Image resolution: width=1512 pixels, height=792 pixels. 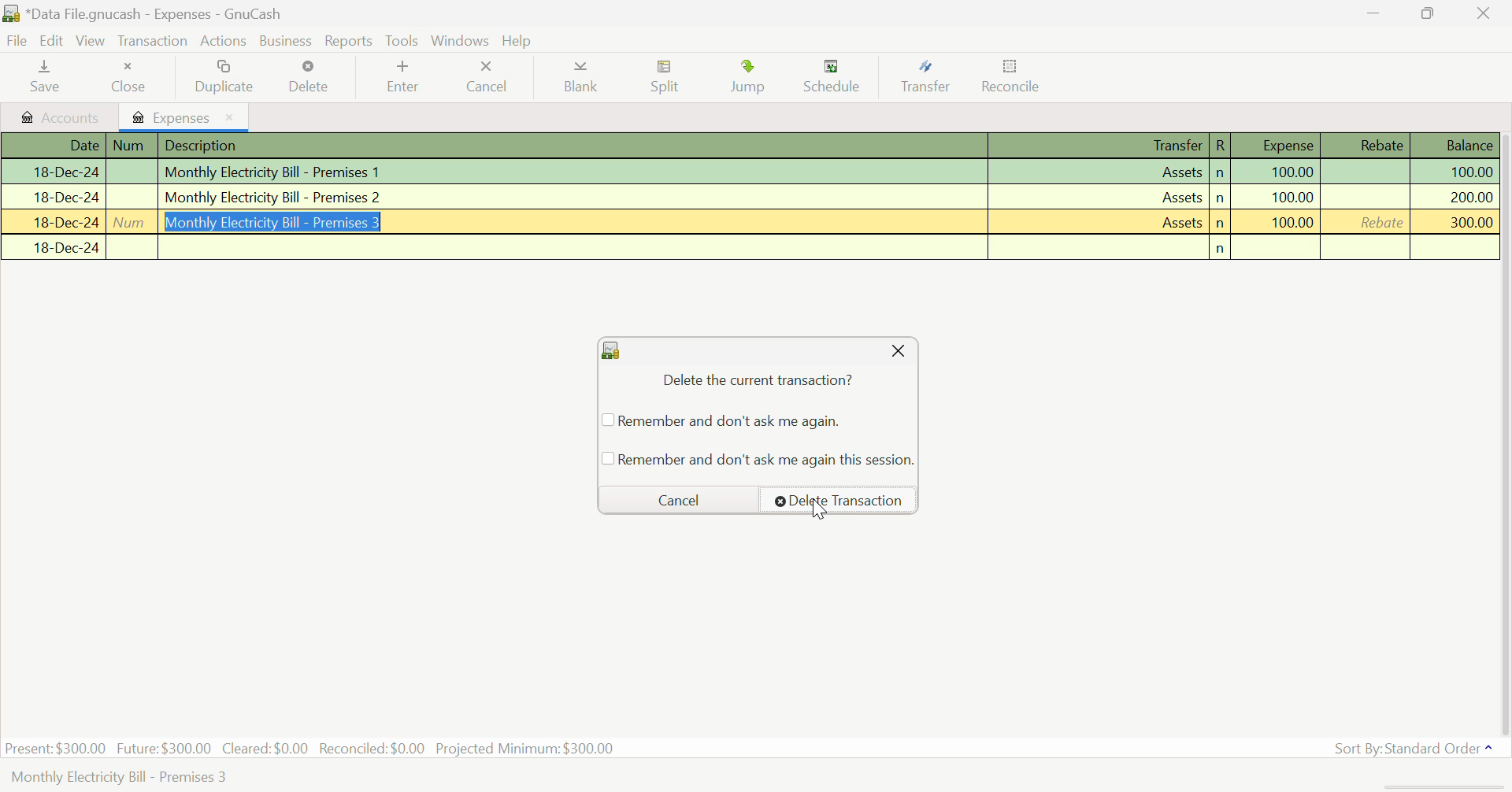 What do you see at coordinates (611, 351) in the screenshot?
I see `GnuCash Logo` at bounding box center [611, 351].